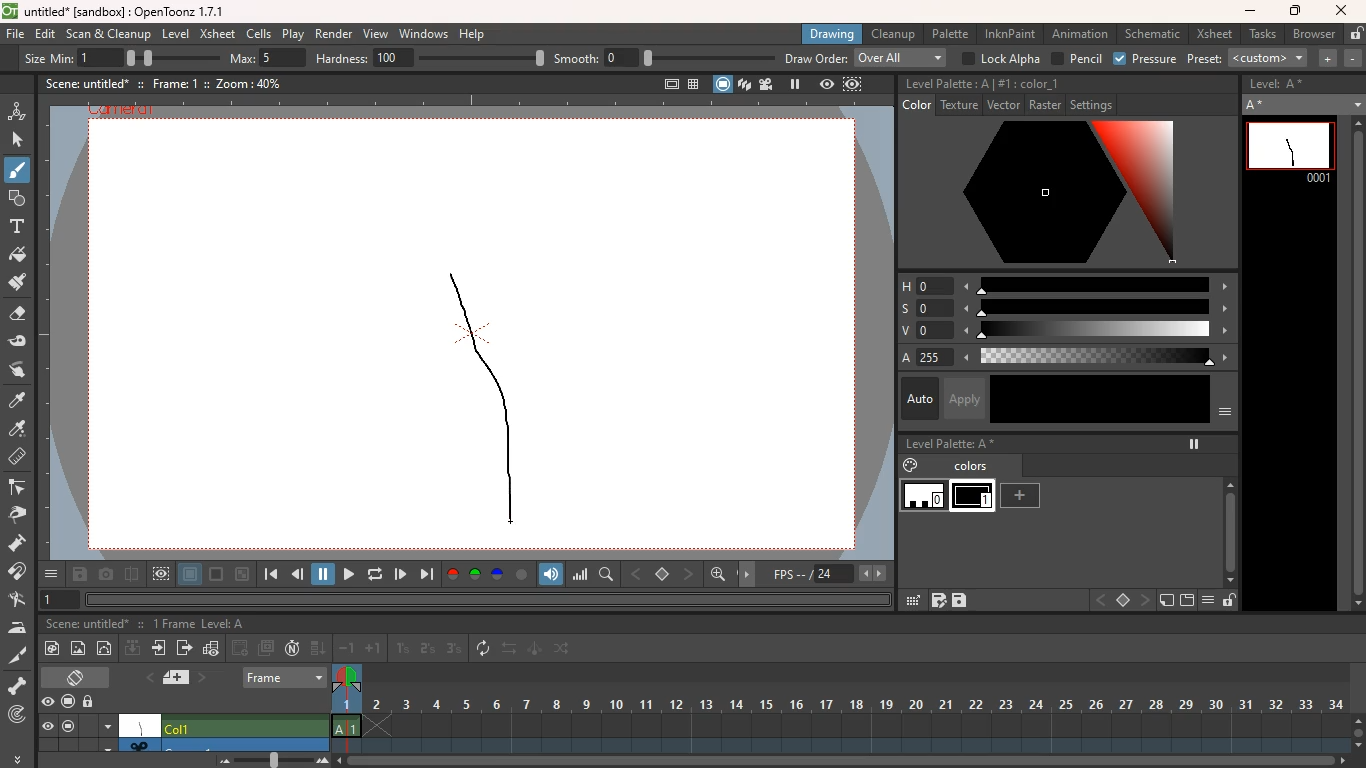  I want to click on 2, so click(427, 649).